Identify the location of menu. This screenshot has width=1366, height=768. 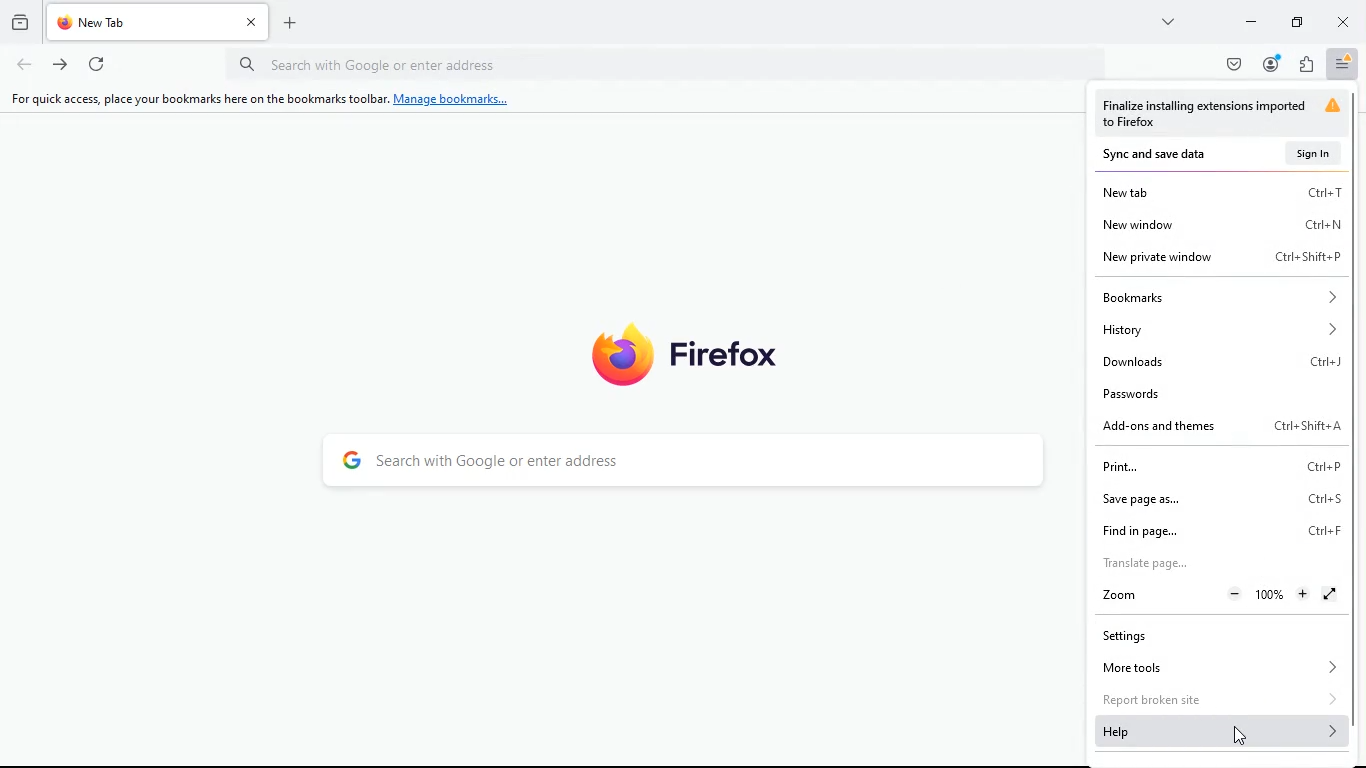
(1344, 65).